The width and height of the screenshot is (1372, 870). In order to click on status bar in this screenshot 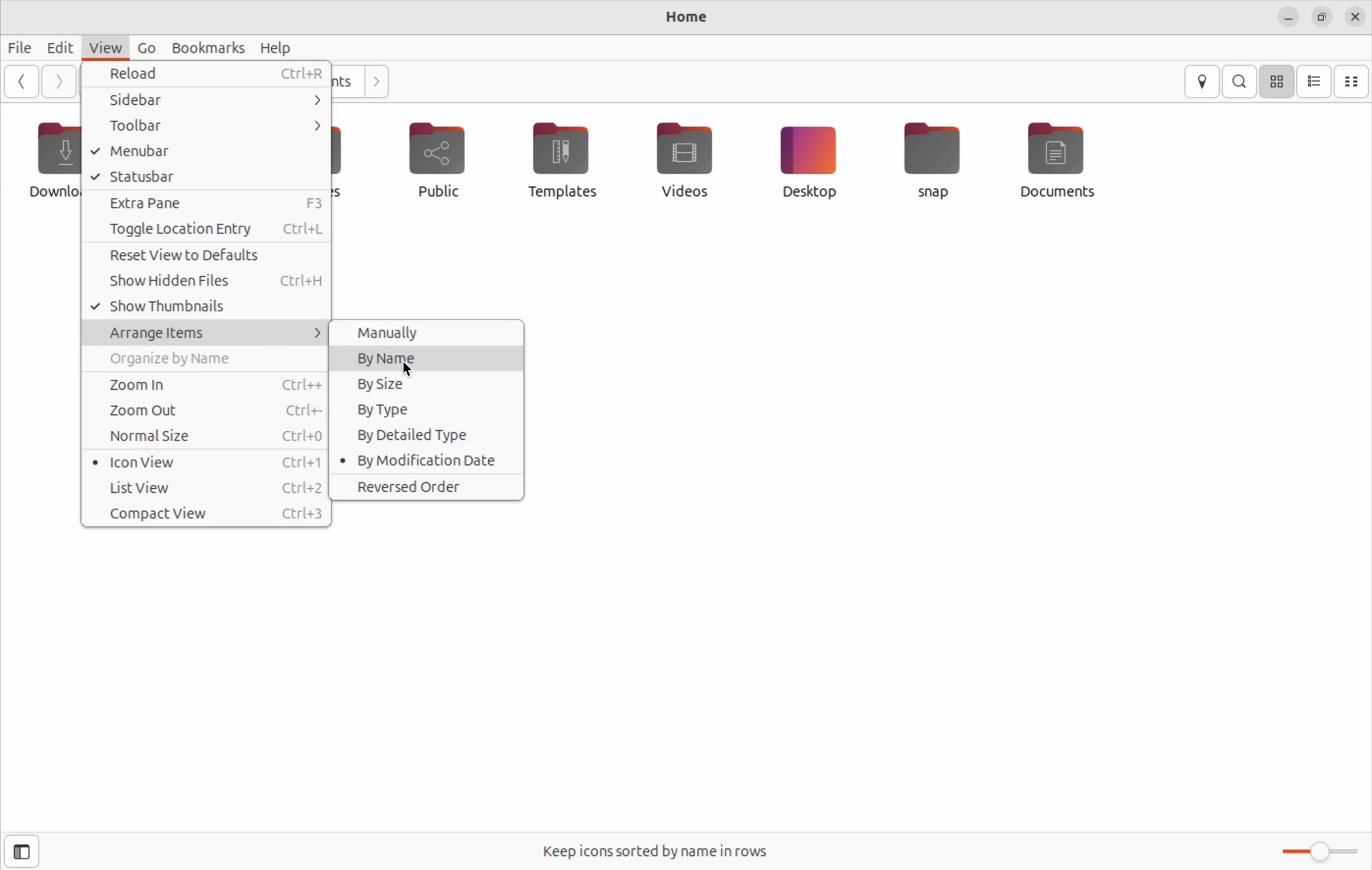, I will do `click(207, 177)`.